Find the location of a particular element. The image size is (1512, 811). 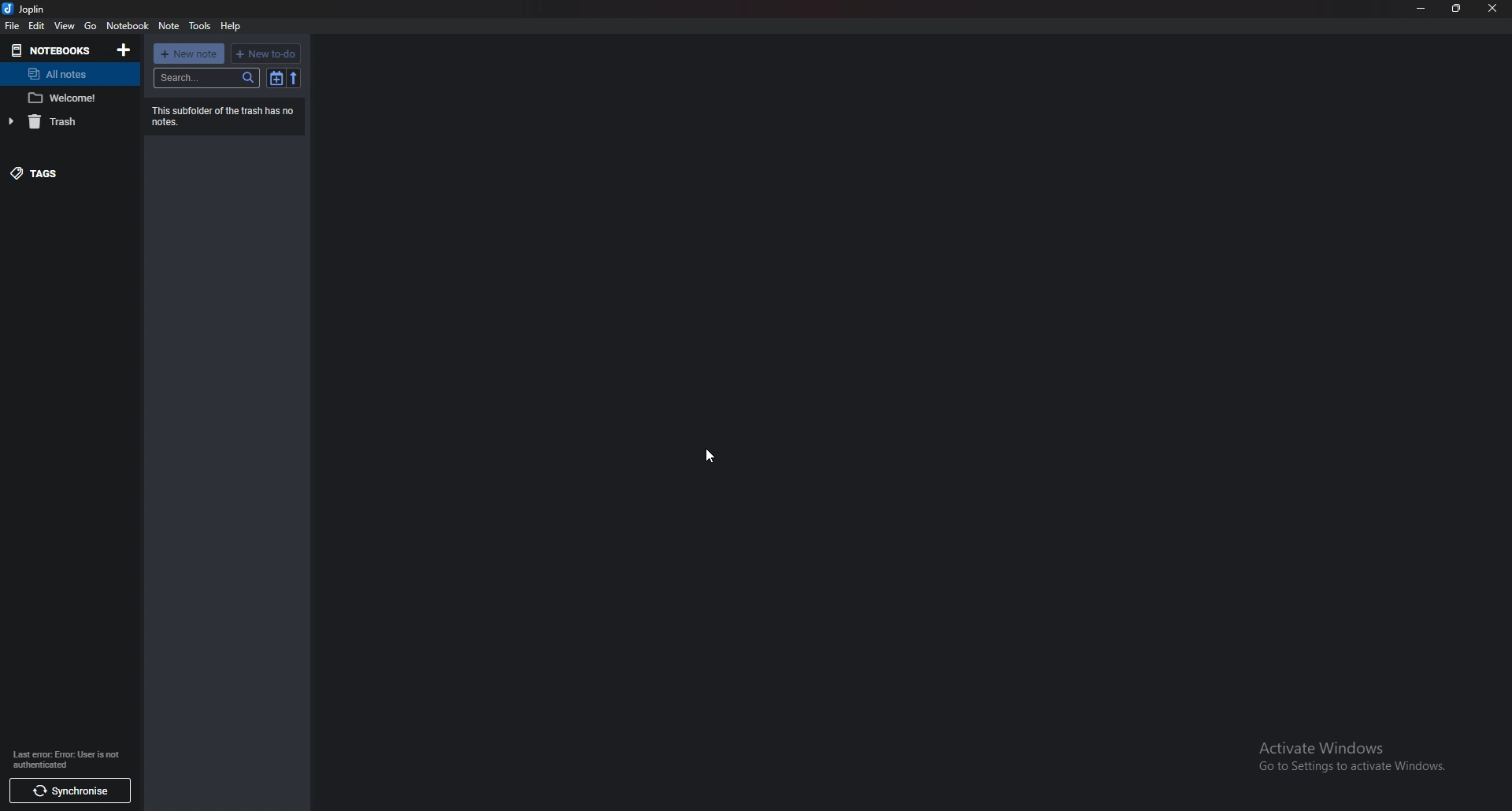

View is located at coordinates (64, 26).